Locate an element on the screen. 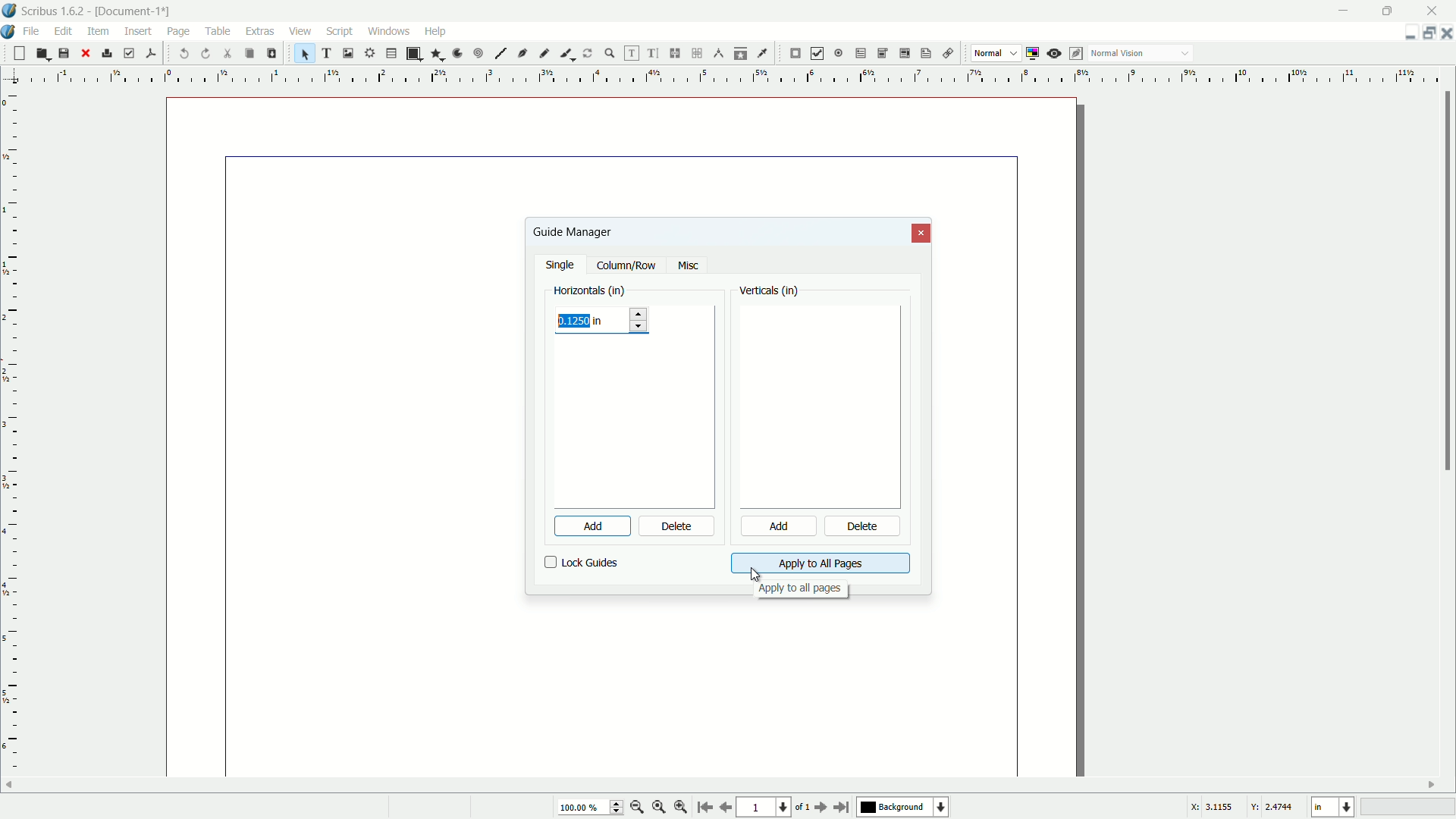 The image size is (1456, 819). zoom to 100% is located at coordinates (659, 808).